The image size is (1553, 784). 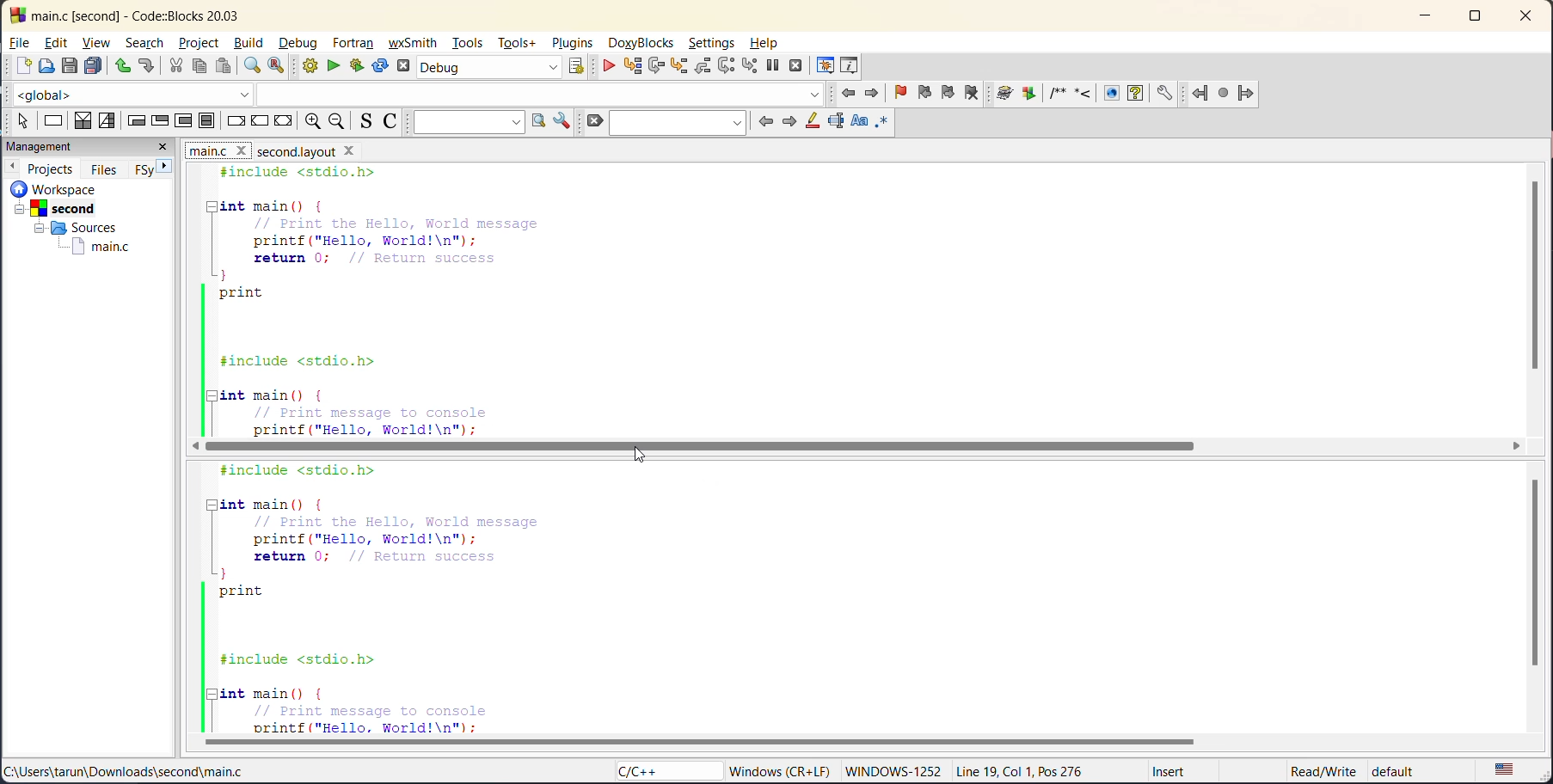 What do you see at coordinates (789, 120) in the screenshot?
I see `next` at bounding box center [789, 120].